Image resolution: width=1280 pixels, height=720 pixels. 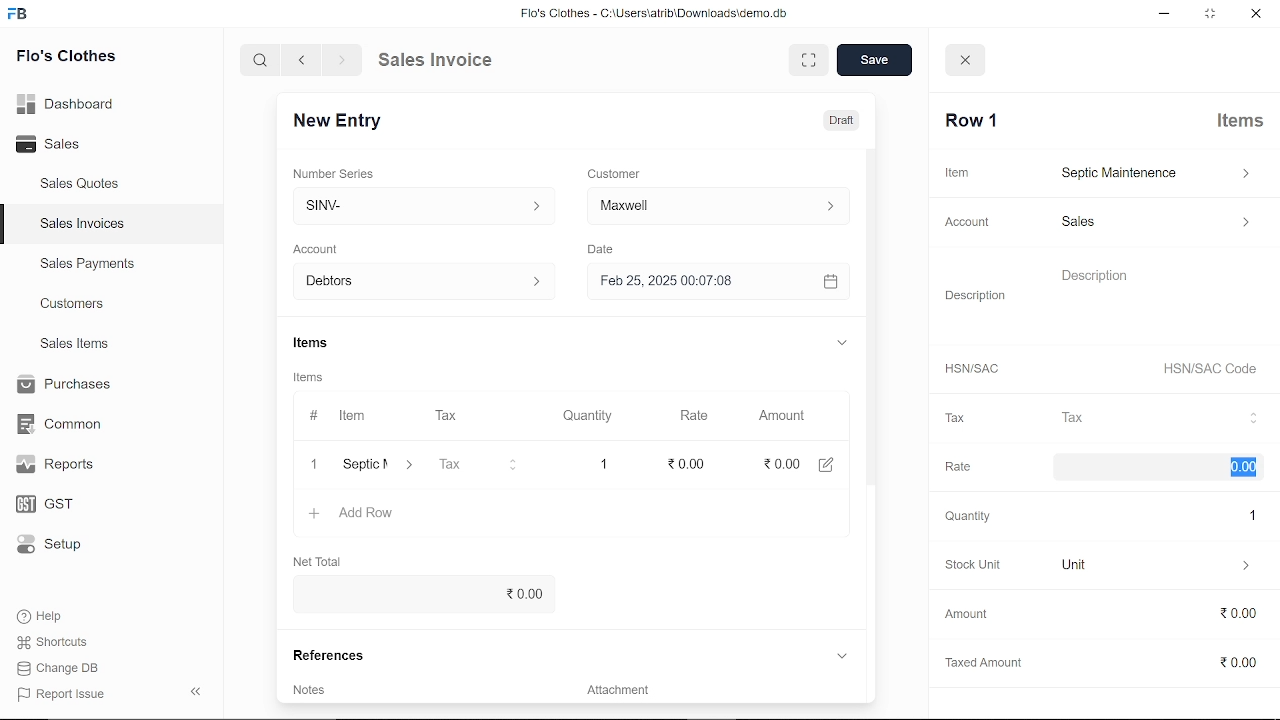 What do you see at coordinates (1161, 418) in the screenshot?
I see `Tax` at bounding box center [1161, 418].